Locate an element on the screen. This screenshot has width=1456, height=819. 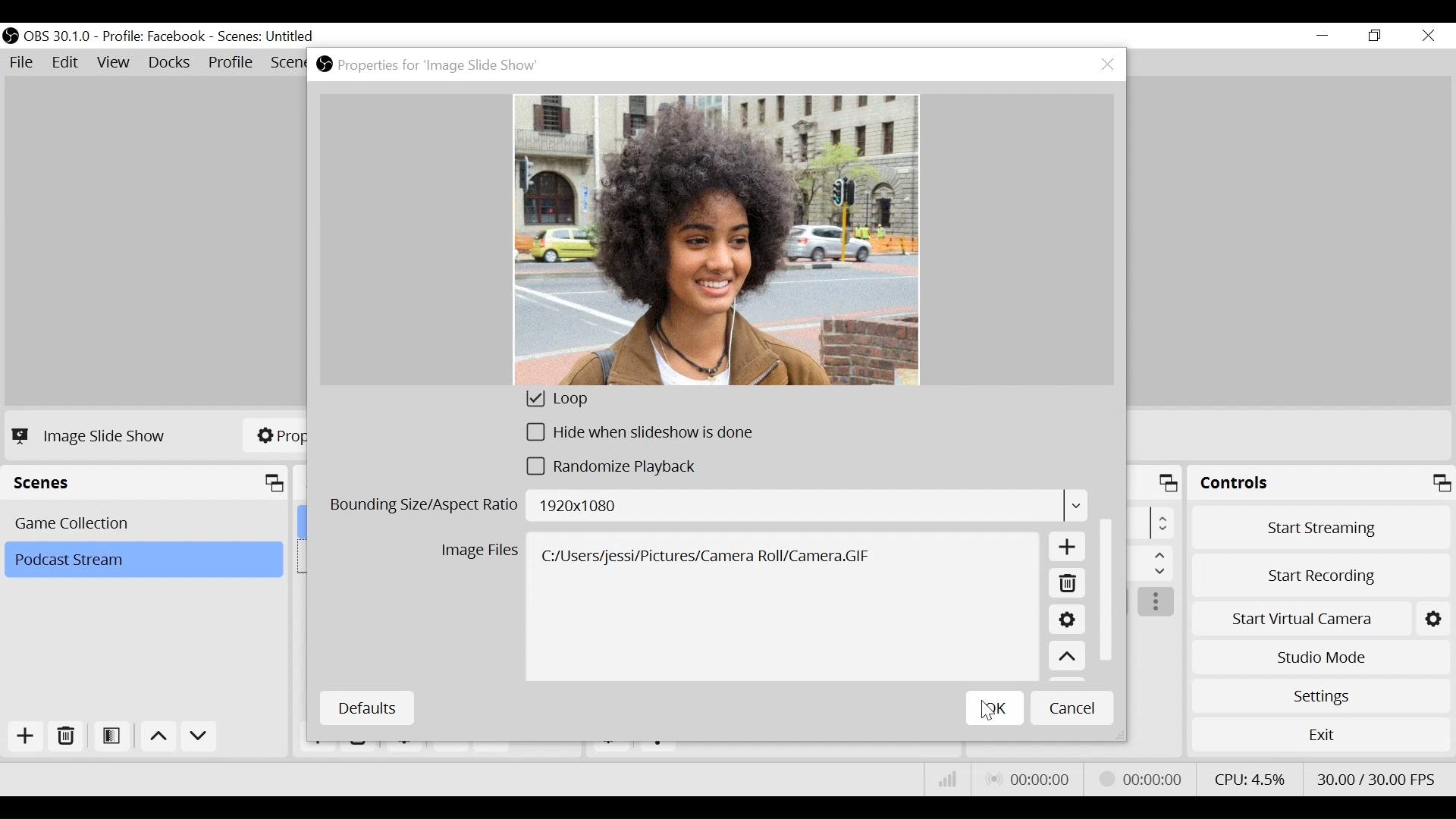
Scenes is located at coordinates (149, 483).